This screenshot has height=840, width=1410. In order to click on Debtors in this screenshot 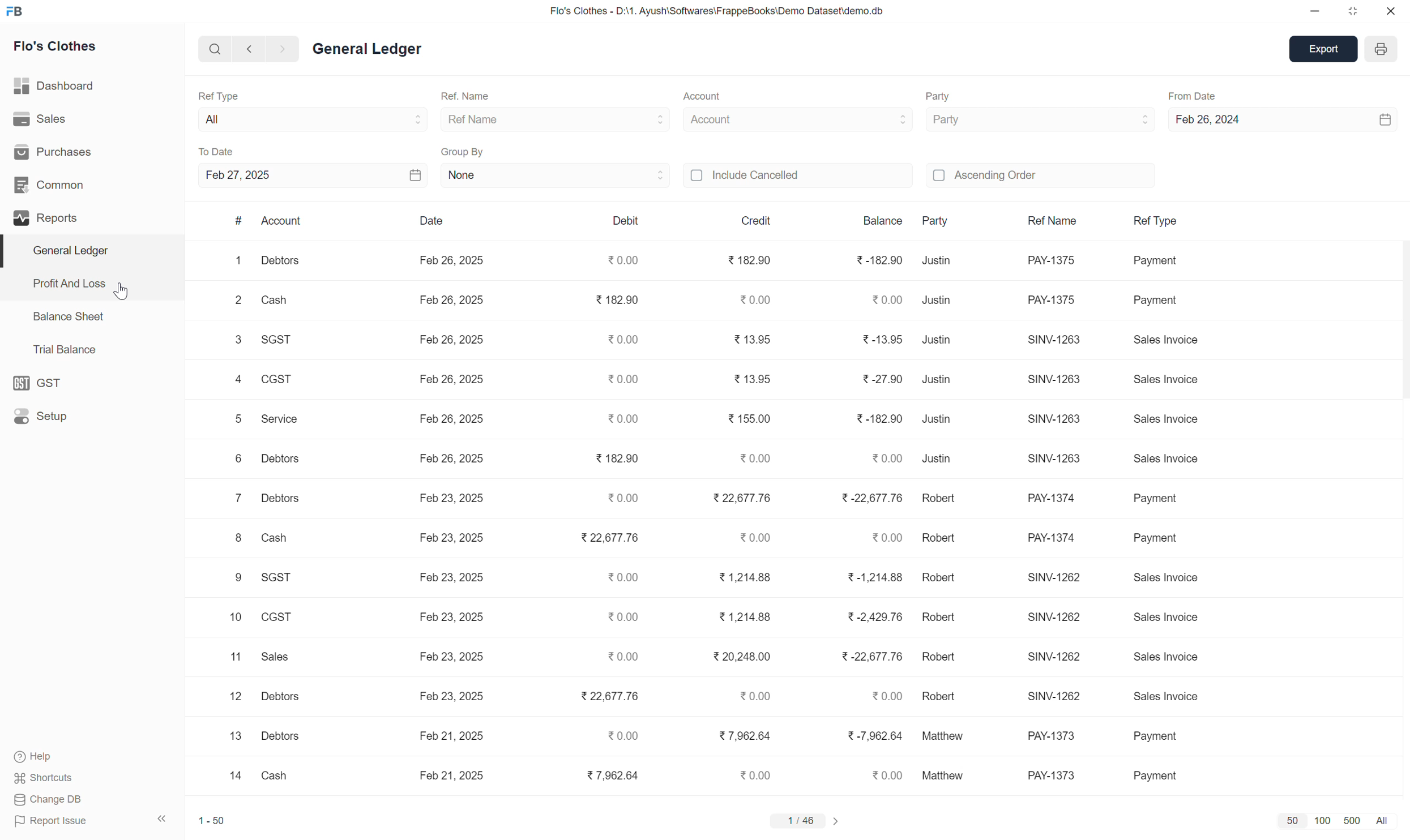, I will do `click(283, 462)`.